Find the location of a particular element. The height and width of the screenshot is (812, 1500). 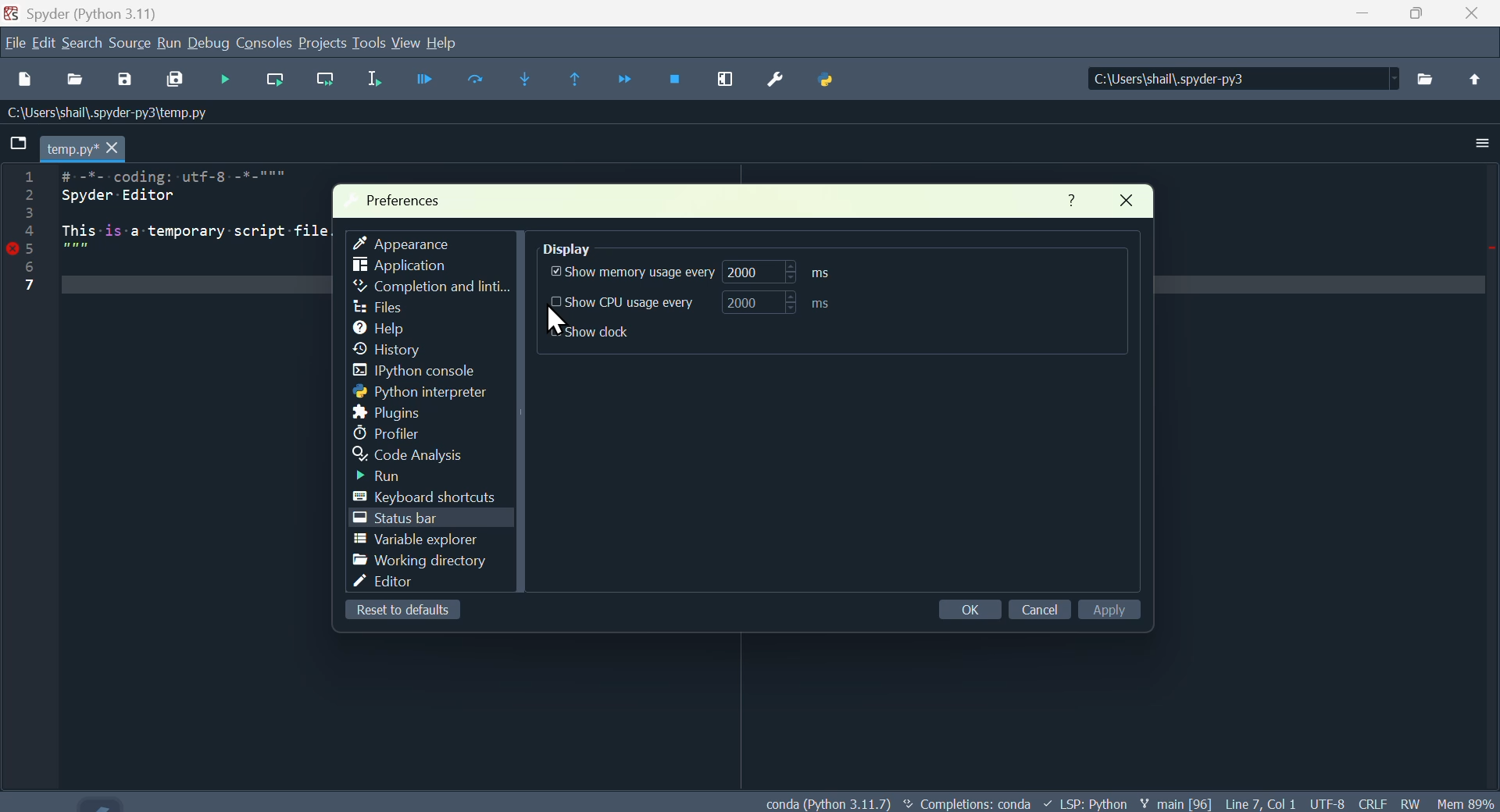

Variable explorer is located at coordinates (417, 541).